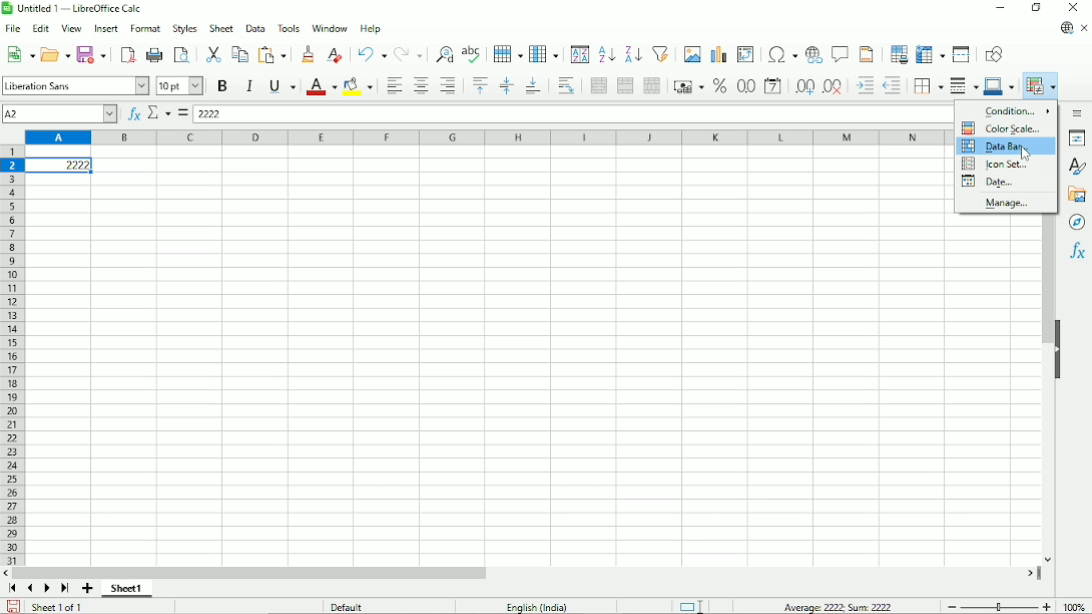 Image resolution: width=1092 pixels, height=614 pixels. Describe the element at coordinates (774, 86) in the screenshot. I see `Format as date` at that location.